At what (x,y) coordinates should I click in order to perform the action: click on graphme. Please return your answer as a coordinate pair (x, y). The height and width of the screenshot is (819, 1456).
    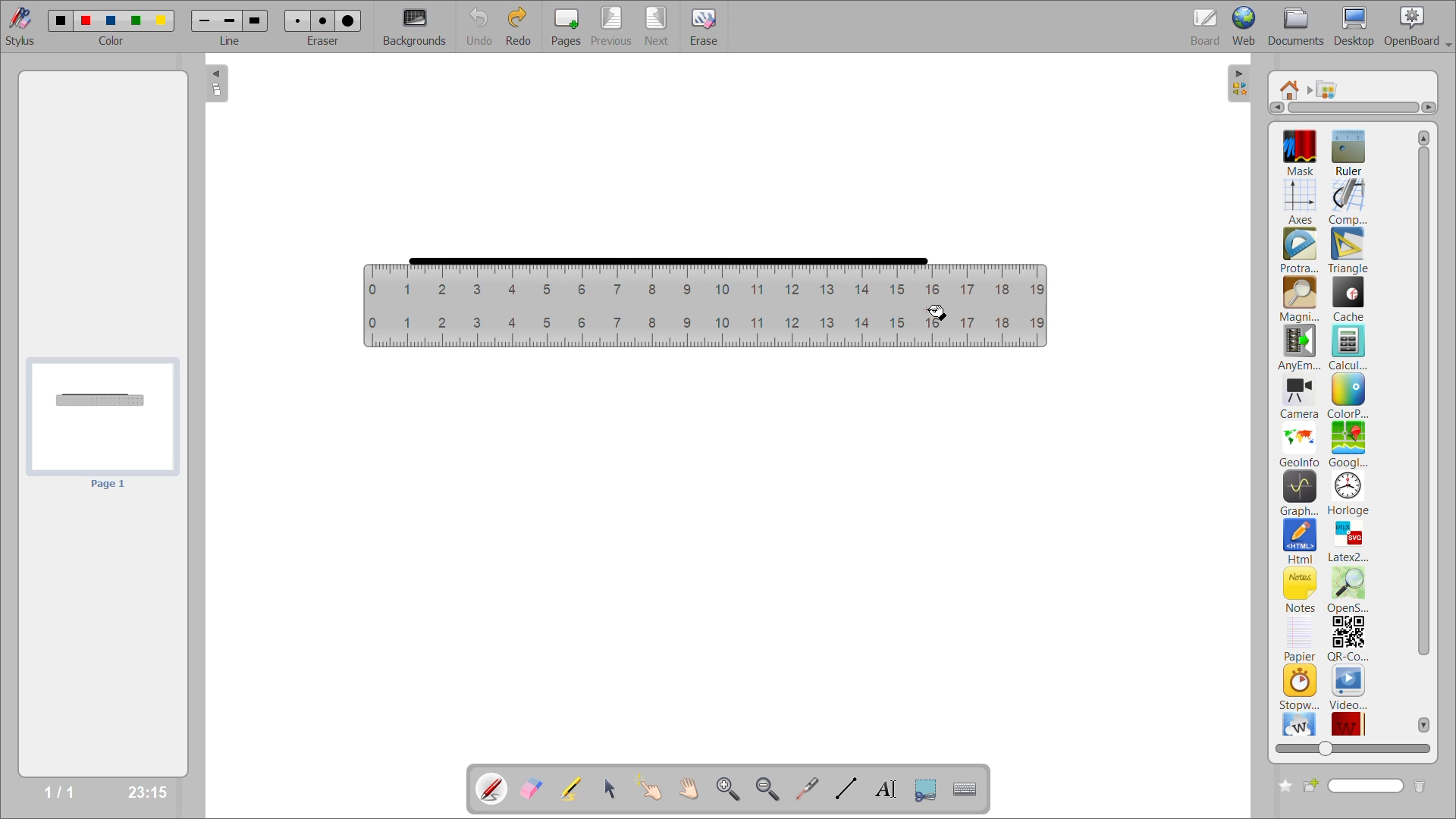
    Looking at the image, I should click on (1300, 494).